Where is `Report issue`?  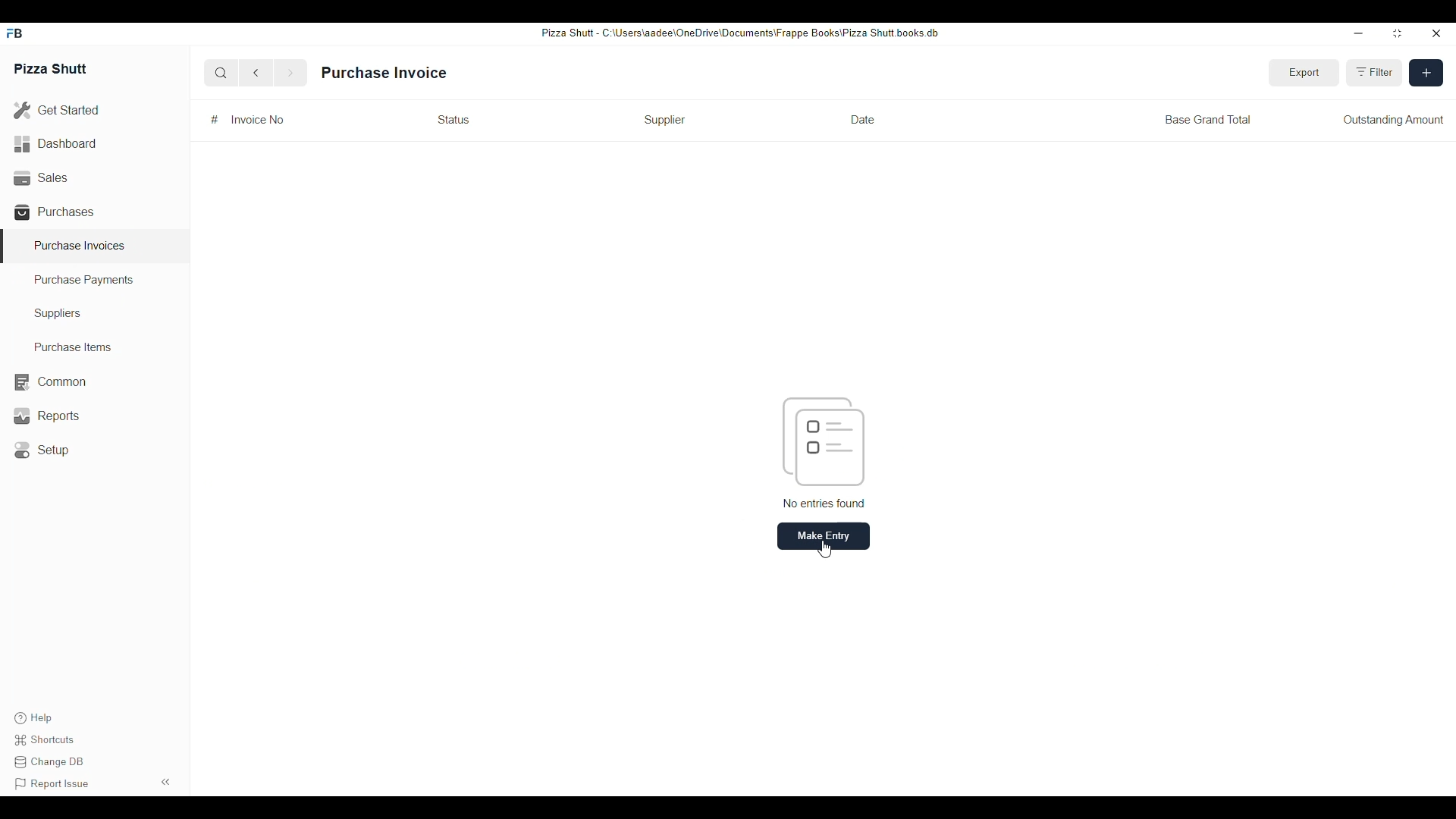
Report issue is located at coordinates (52, 784).